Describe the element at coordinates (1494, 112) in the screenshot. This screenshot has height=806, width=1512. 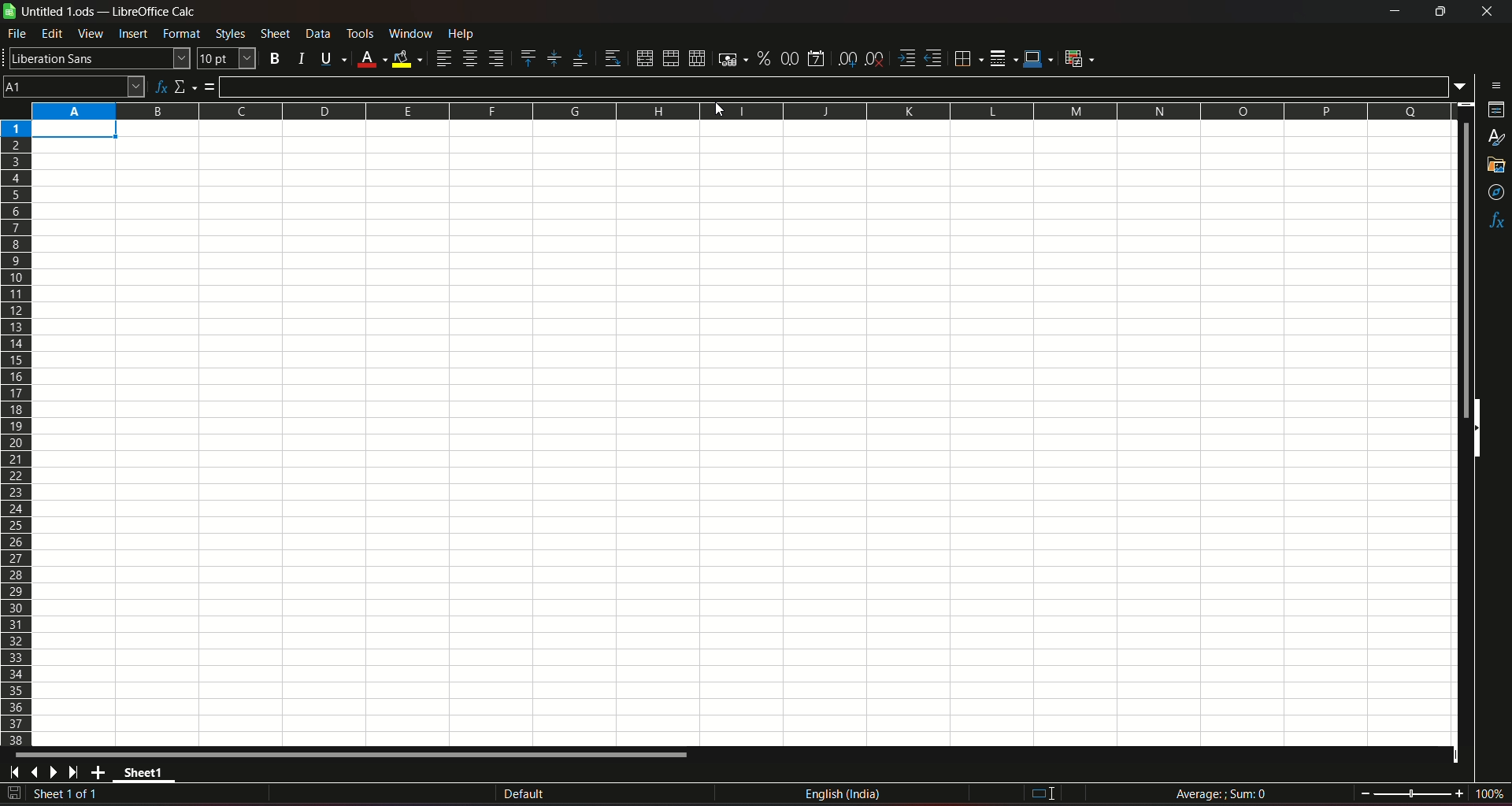
I see `properties` at that location.